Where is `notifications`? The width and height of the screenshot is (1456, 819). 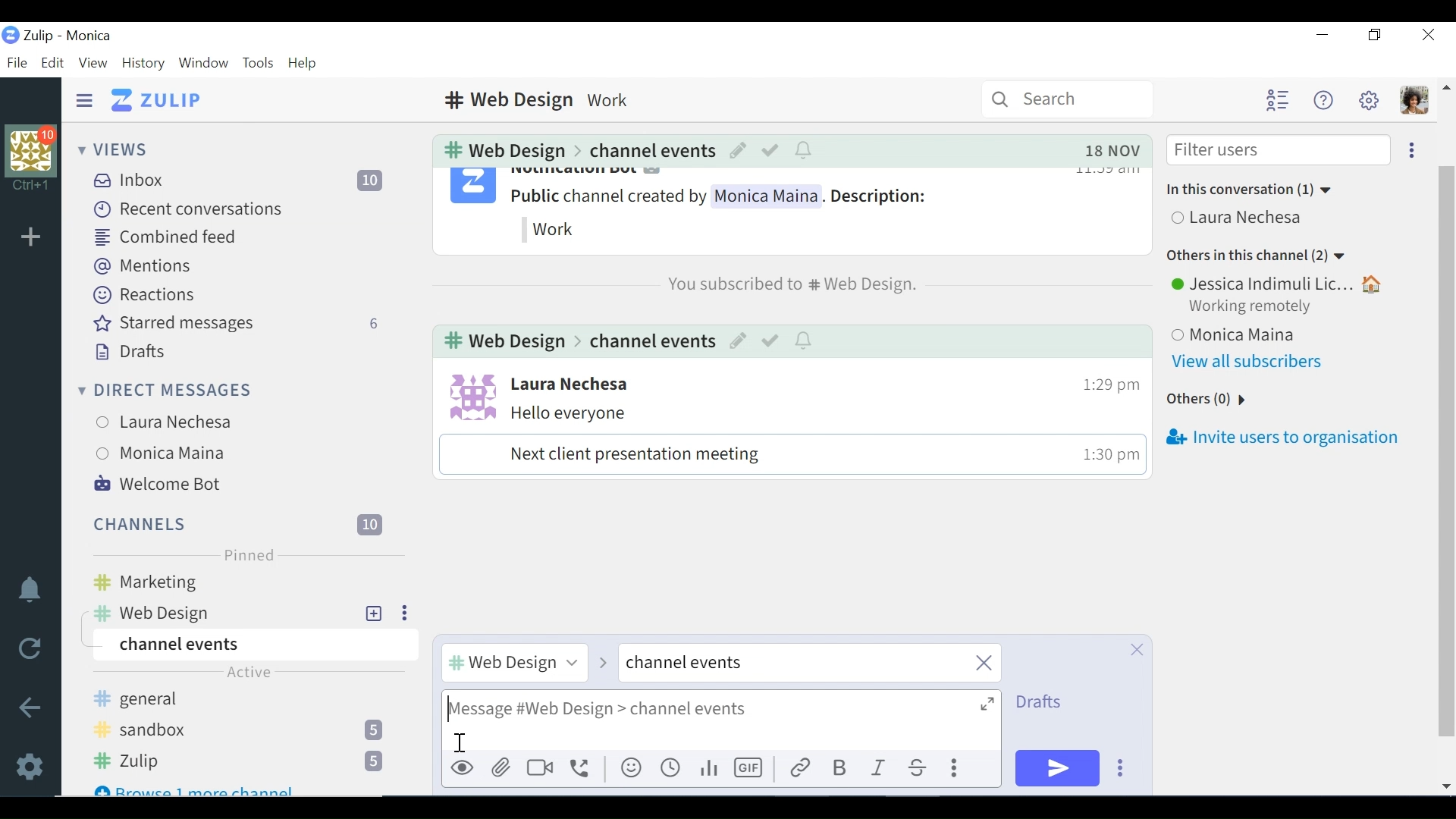
notifications is located at coordinates (30, 588).